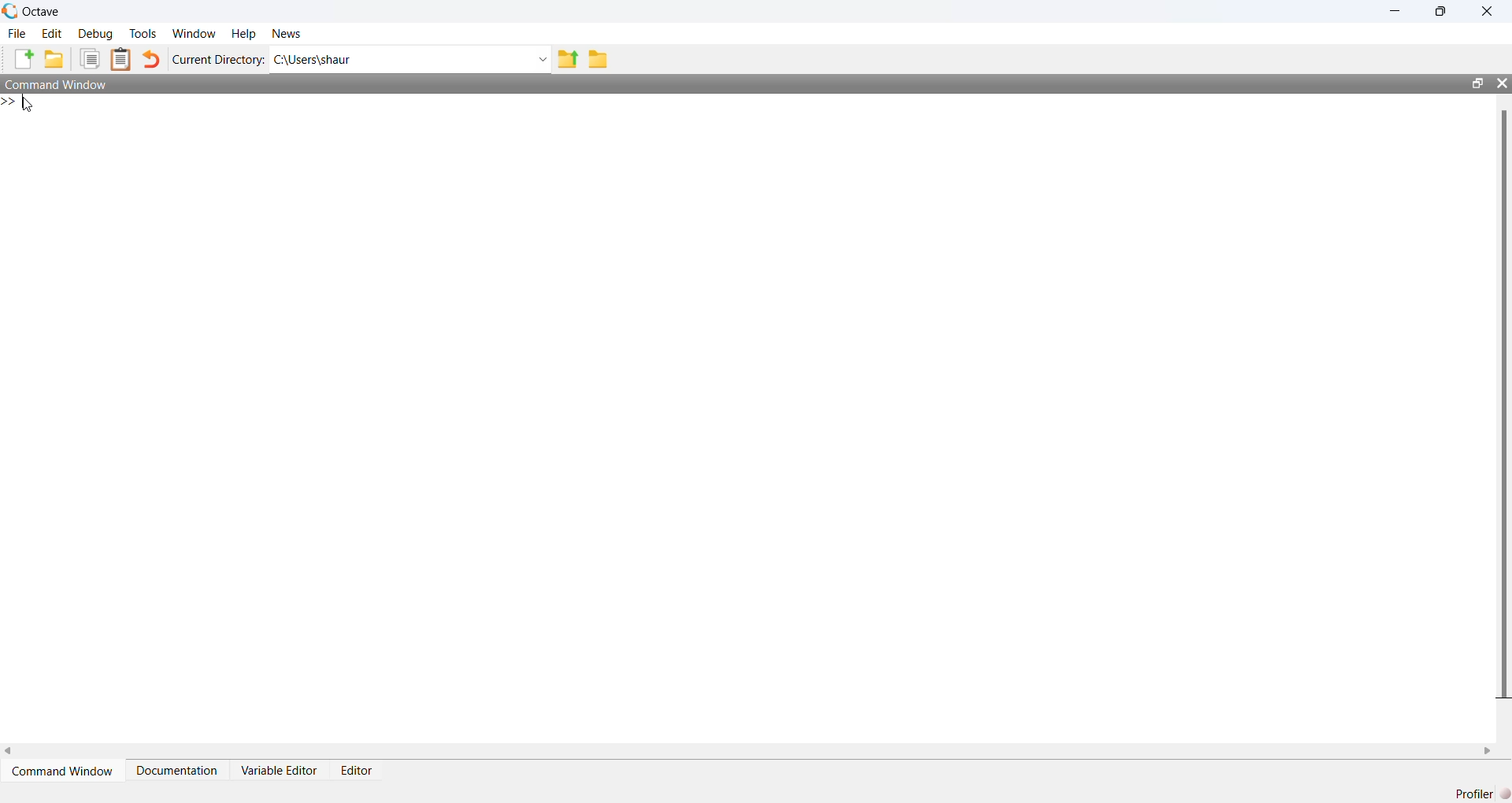 This screenshot has width=1512, height=803. What do you see at coordinates (1490, 10) in the screenshot?
I see `close` at bounding box center [1490, 10].